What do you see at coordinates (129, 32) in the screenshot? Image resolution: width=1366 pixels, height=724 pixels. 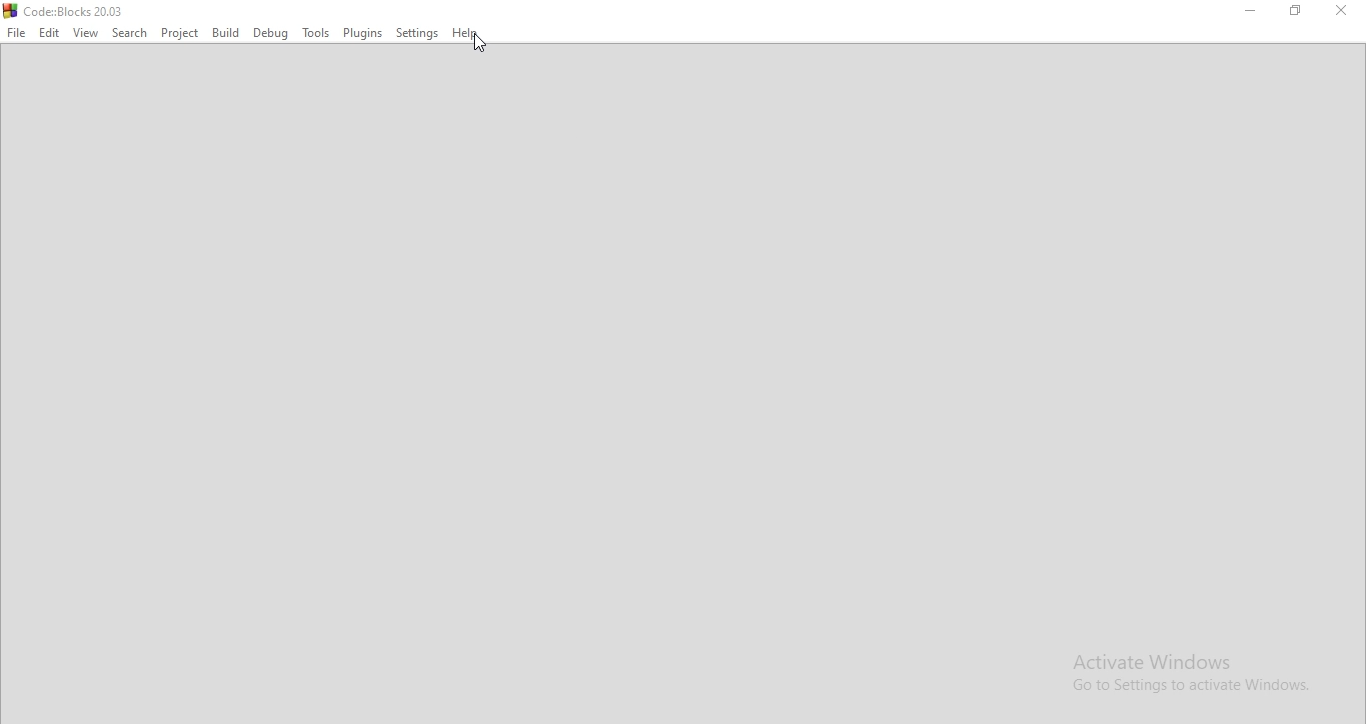 I see `Search ` at bounding box center [129, 32].